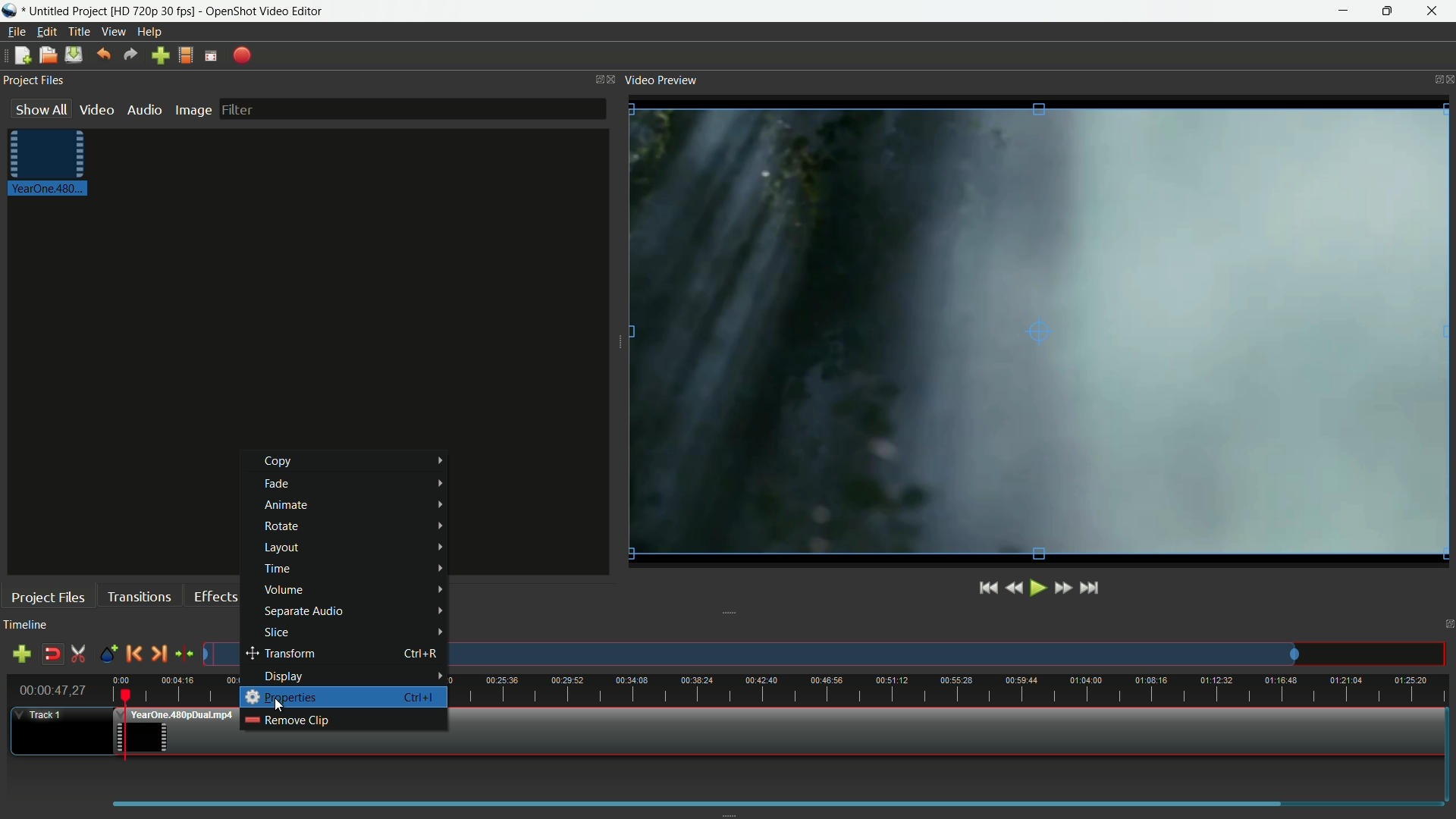 Image resolution: width=1456 pixels, height=819 pixels. What do you see at coordinates (987, 589) in the screenshot?
I see `jump to start` at bounding box center [987, 589].